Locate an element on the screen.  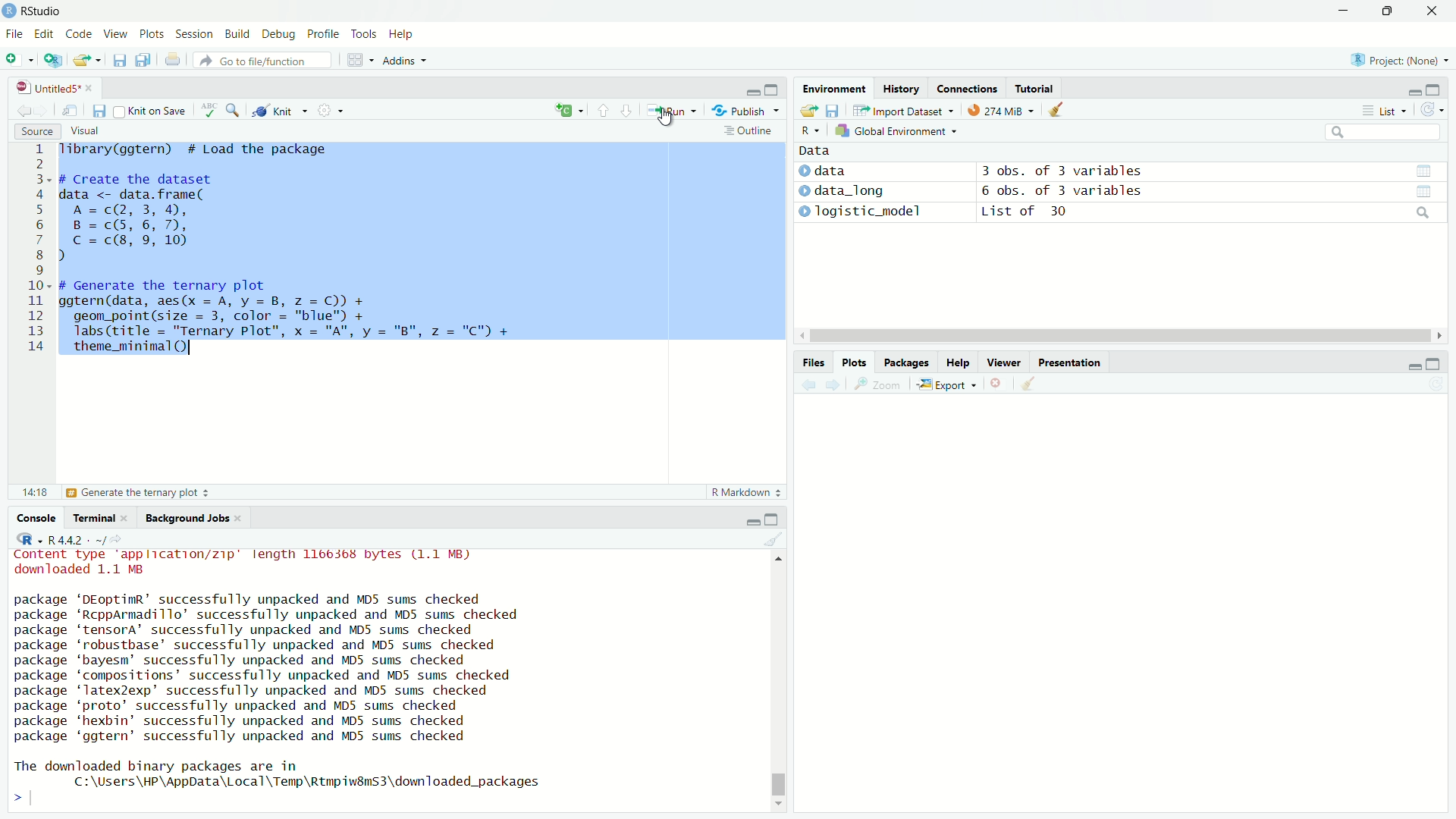
save is located at coordinates (99, 111).